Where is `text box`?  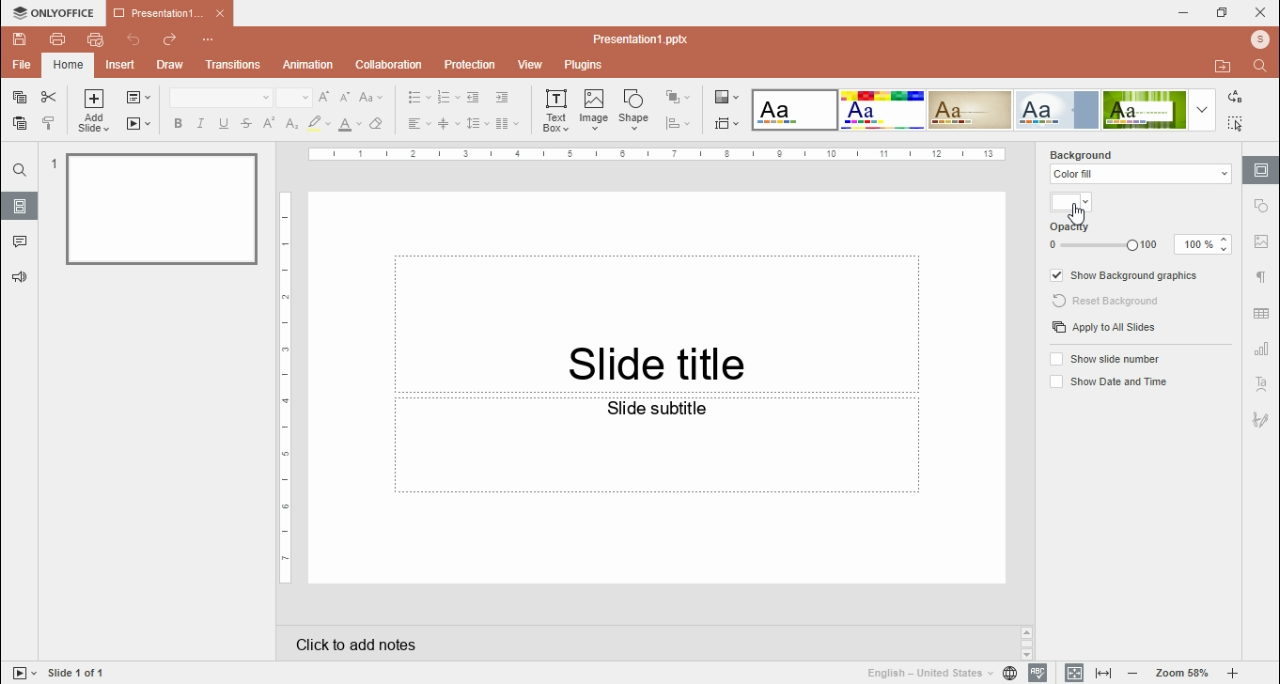
text box is located at coordinates (657, 321).